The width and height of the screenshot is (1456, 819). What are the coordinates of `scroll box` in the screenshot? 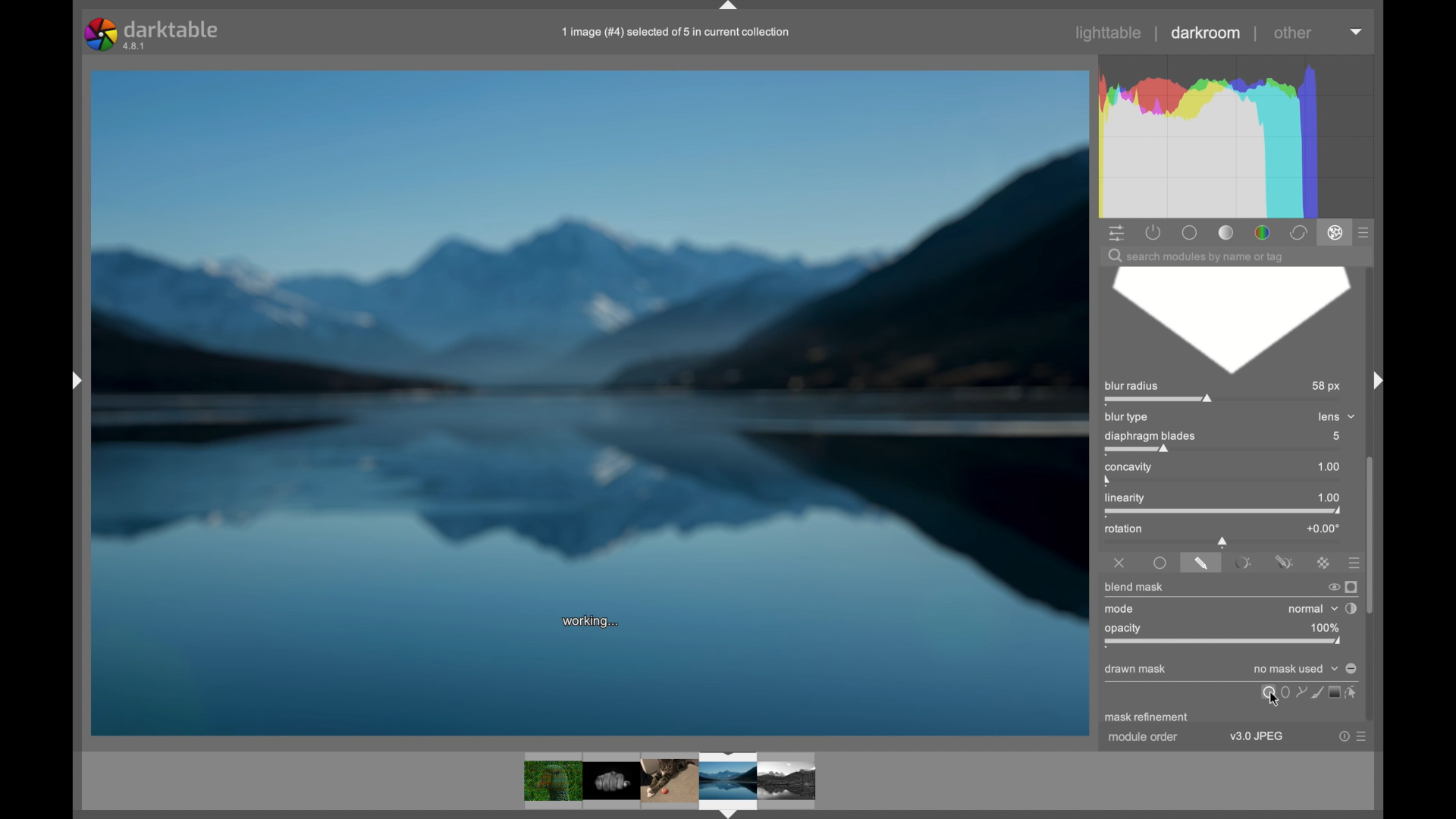 It's located at (1373, 534).